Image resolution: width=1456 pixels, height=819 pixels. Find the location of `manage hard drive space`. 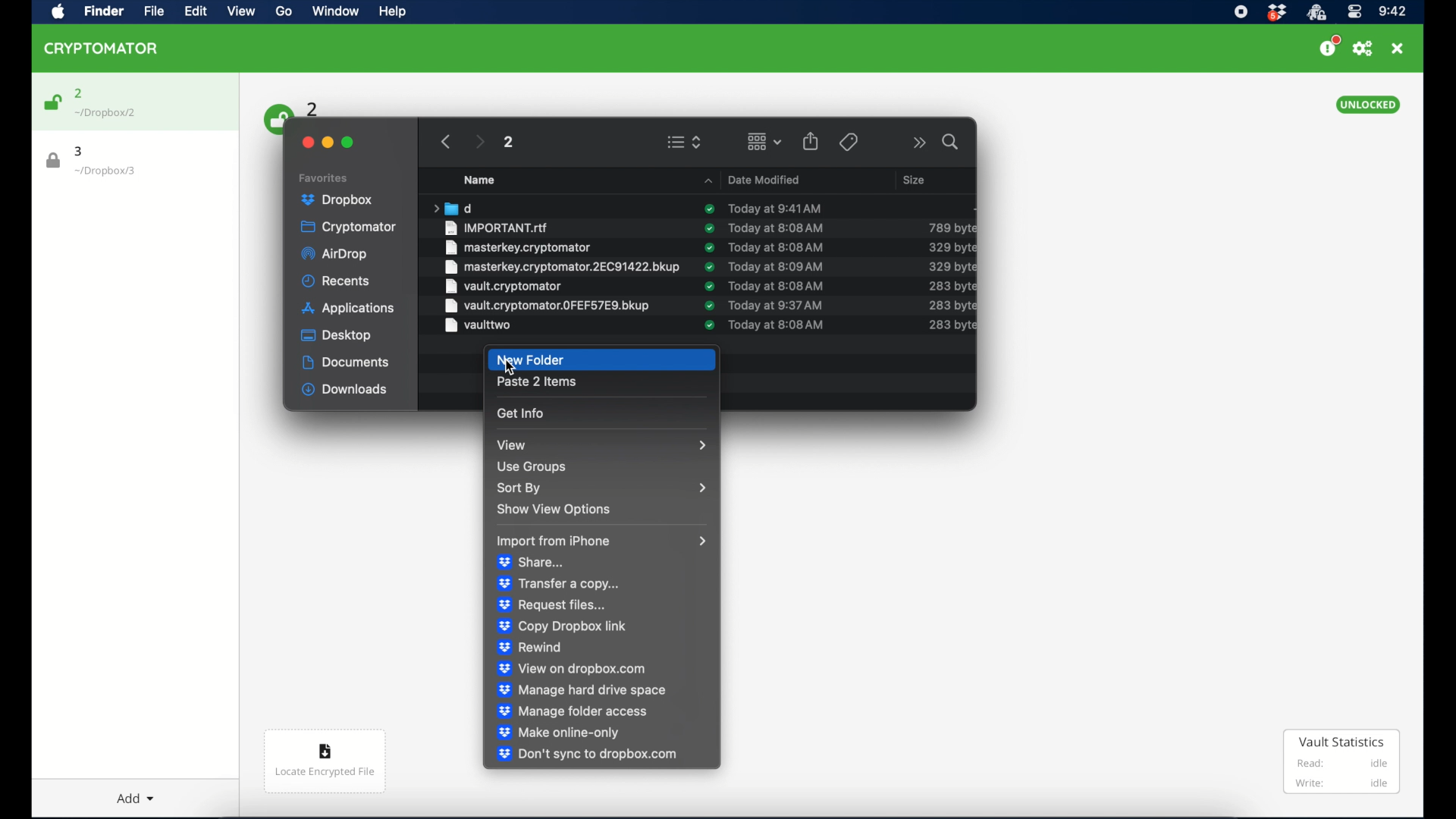

manage hard drive space is located at coordinates (582, 689).